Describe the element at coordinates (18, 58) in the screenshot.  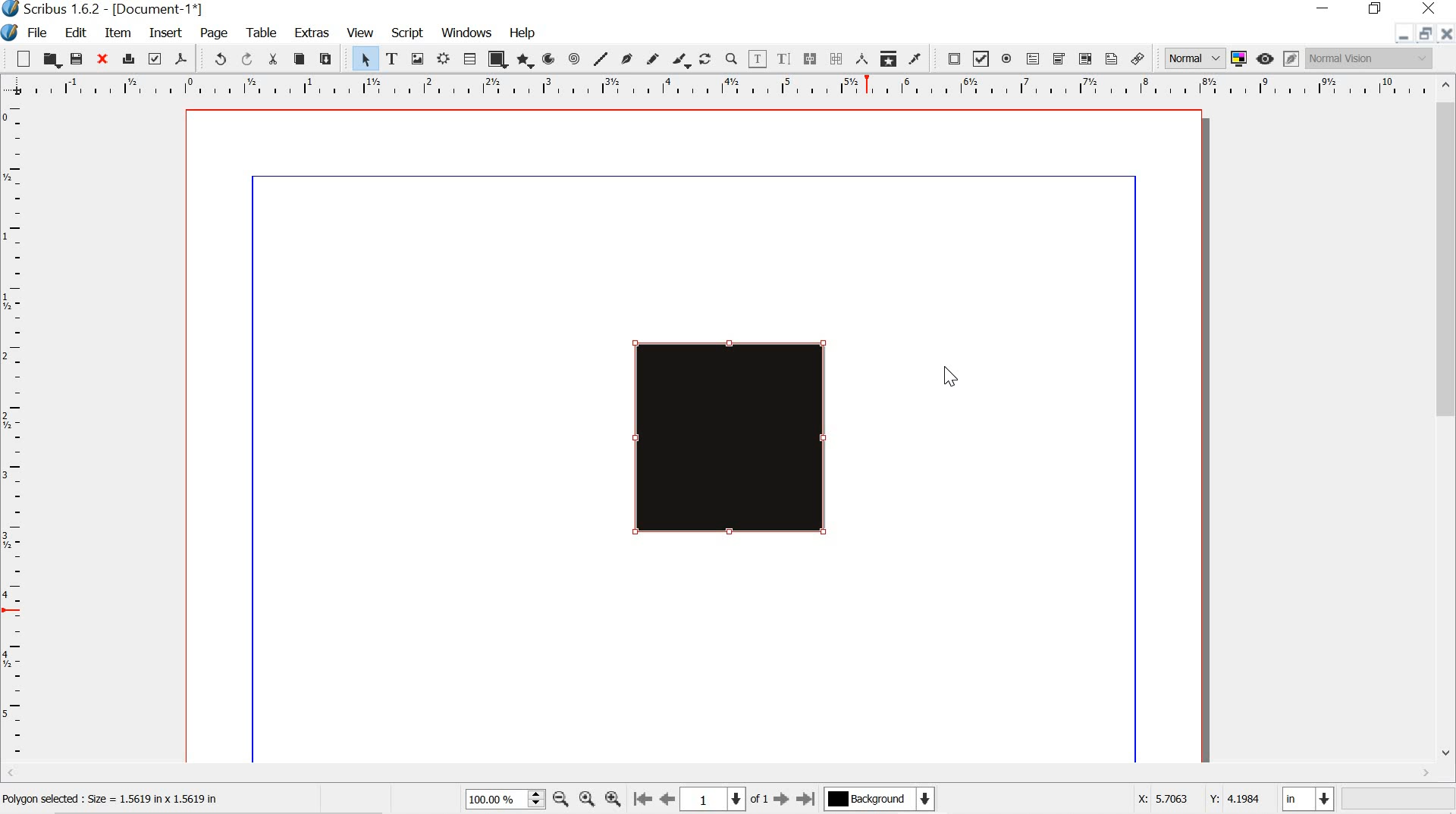
I see `new` at that location.